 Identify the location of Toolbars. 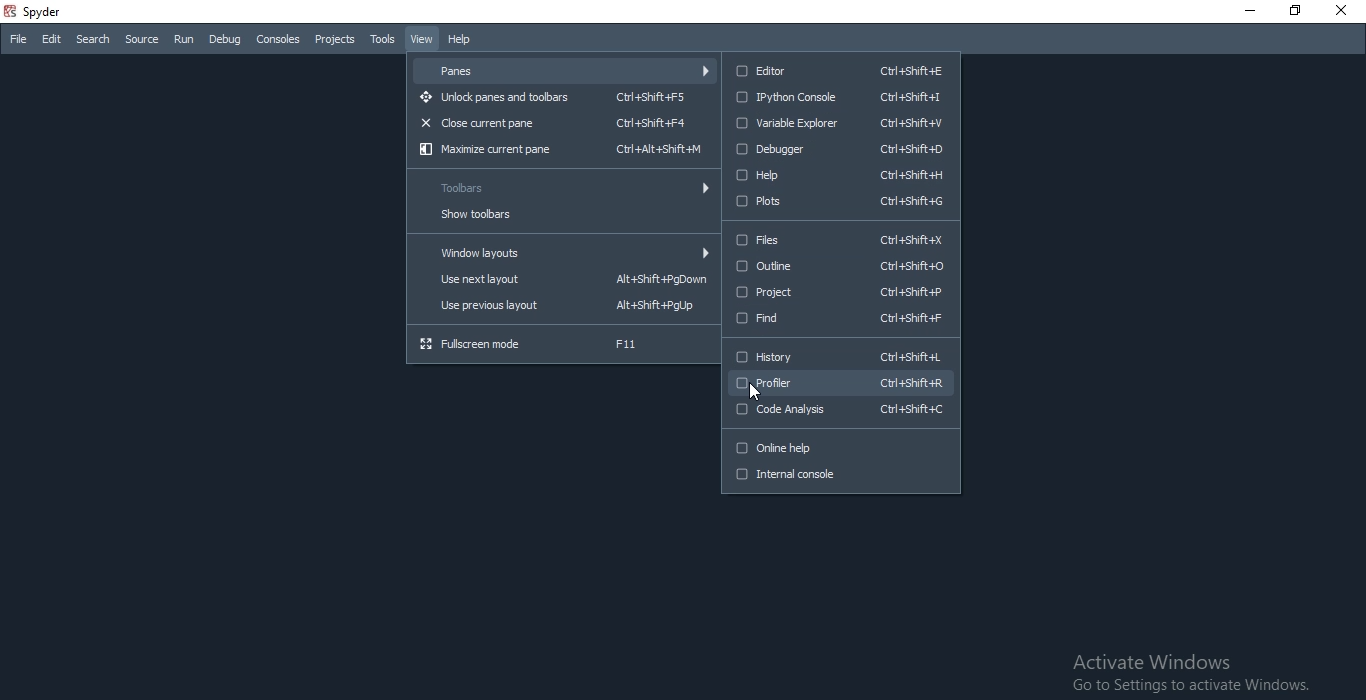
(561, 186).